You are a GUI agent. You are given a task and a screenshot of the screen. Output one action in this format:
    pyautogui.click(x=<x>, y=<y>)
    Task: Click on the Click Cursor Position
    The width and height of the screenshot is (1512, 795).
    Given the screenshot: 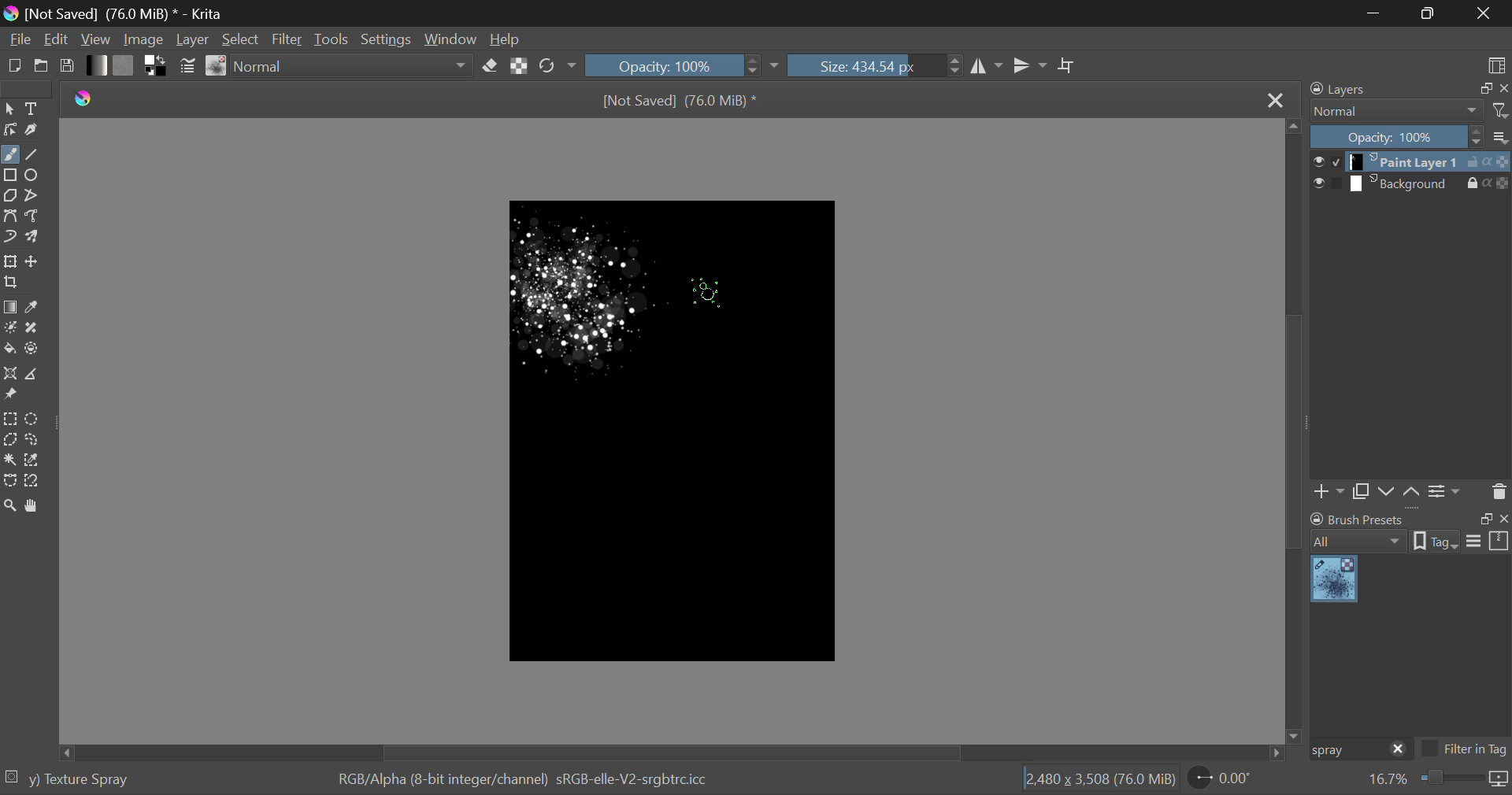 What is the action you would take?
    pyautogui.click(x=704, y=292)
    